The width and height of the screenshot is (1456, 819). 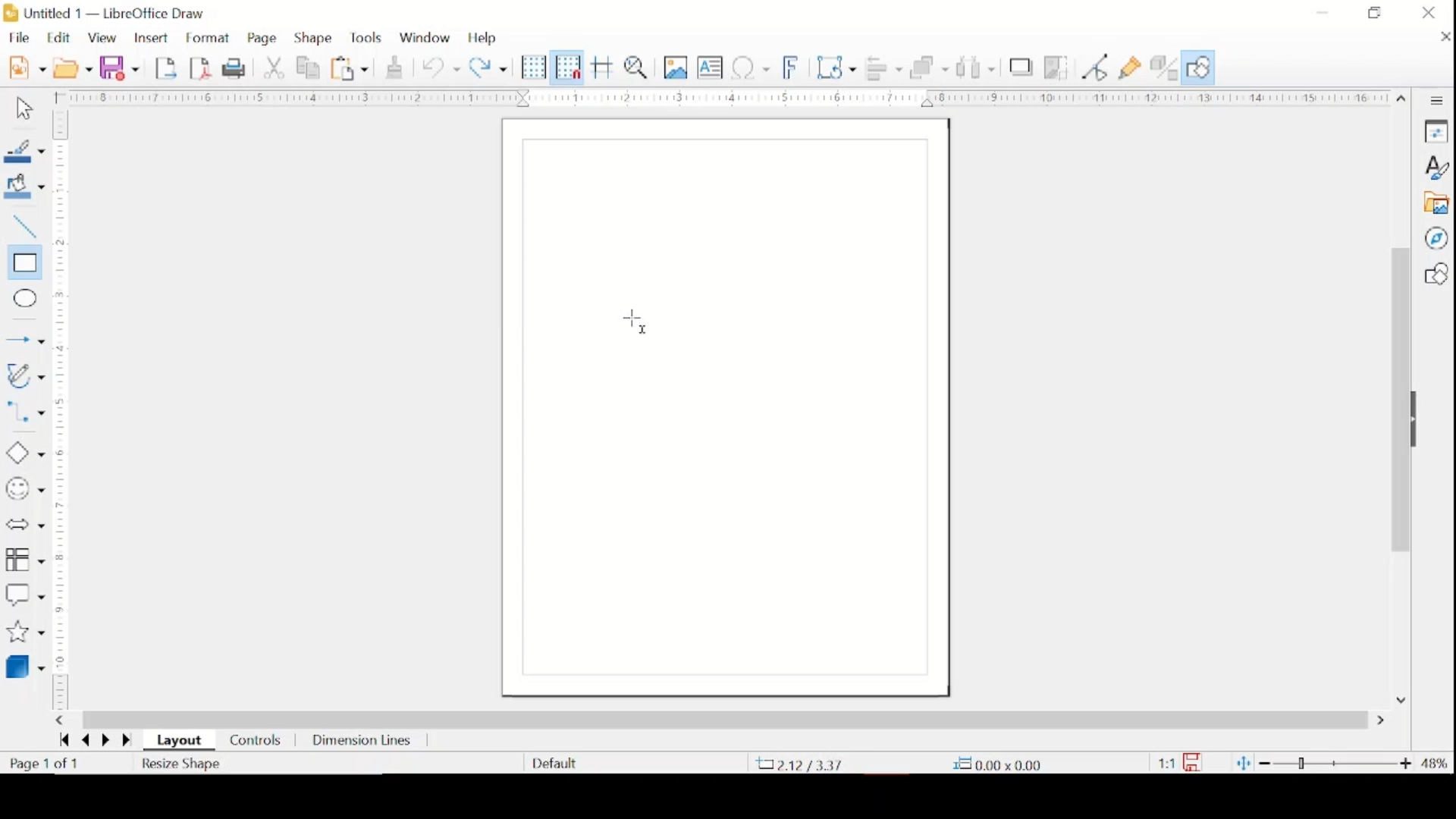 What do you see at coordinates (24, 377) in the screenshot?
I see `insert curves and polygons` at bounding box center [24, 377].